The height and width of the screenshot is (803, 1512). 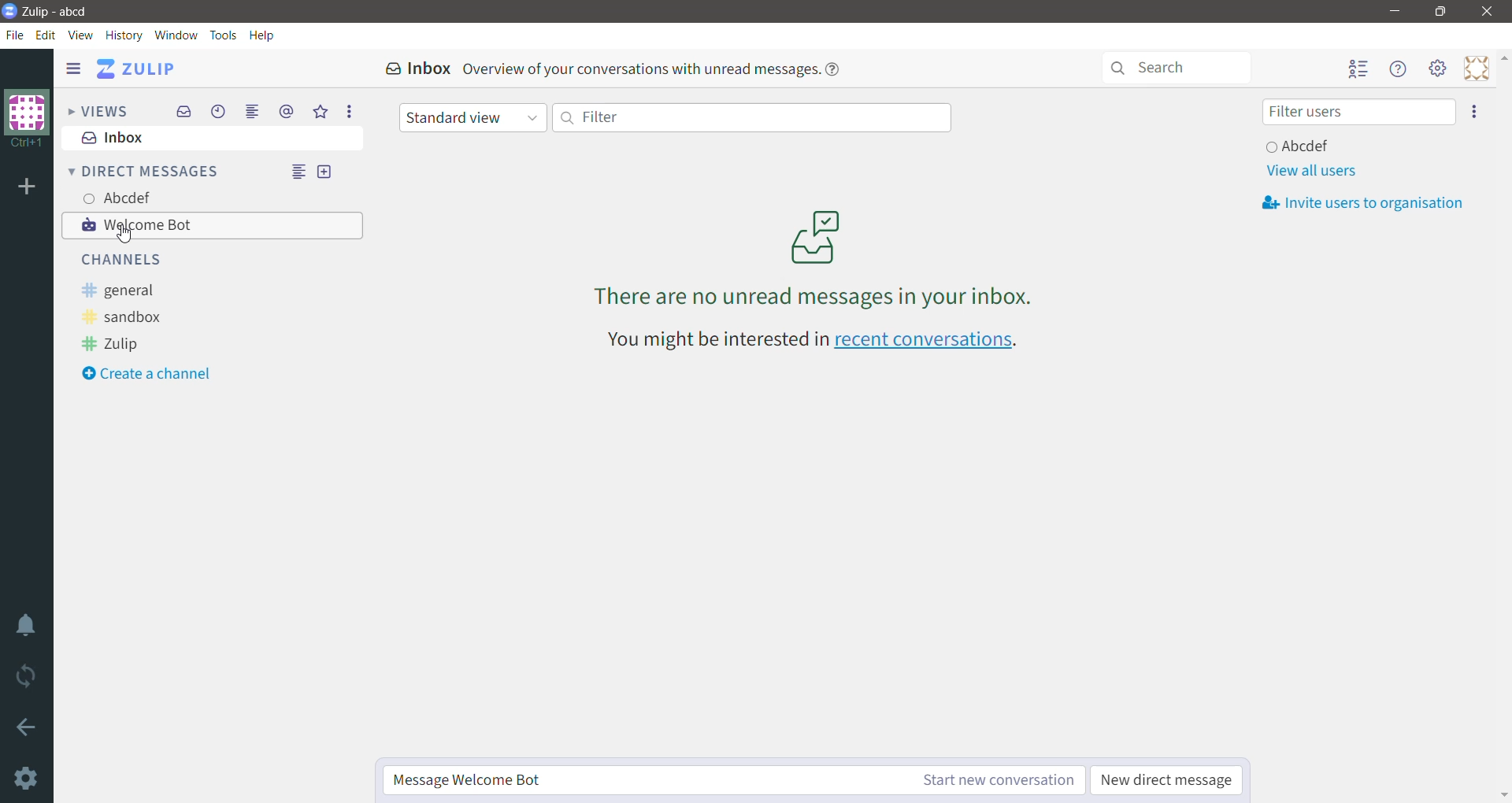 What do you see at coordinates (409, 68) in the screenshot?
I see `Inbox` at bounding box center [409, 68].